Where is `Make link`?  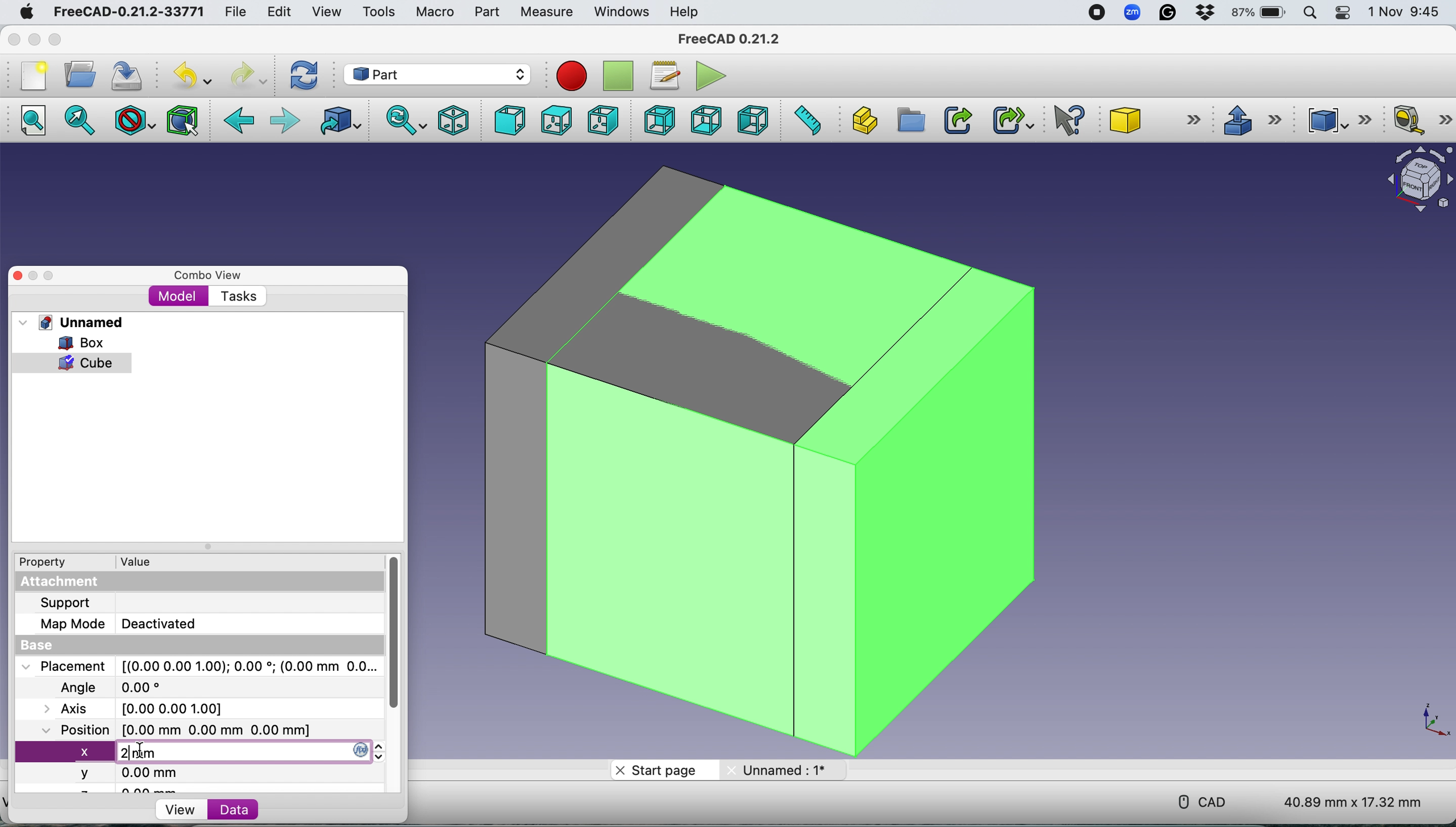
Make link is located at coordinates (958, 120).